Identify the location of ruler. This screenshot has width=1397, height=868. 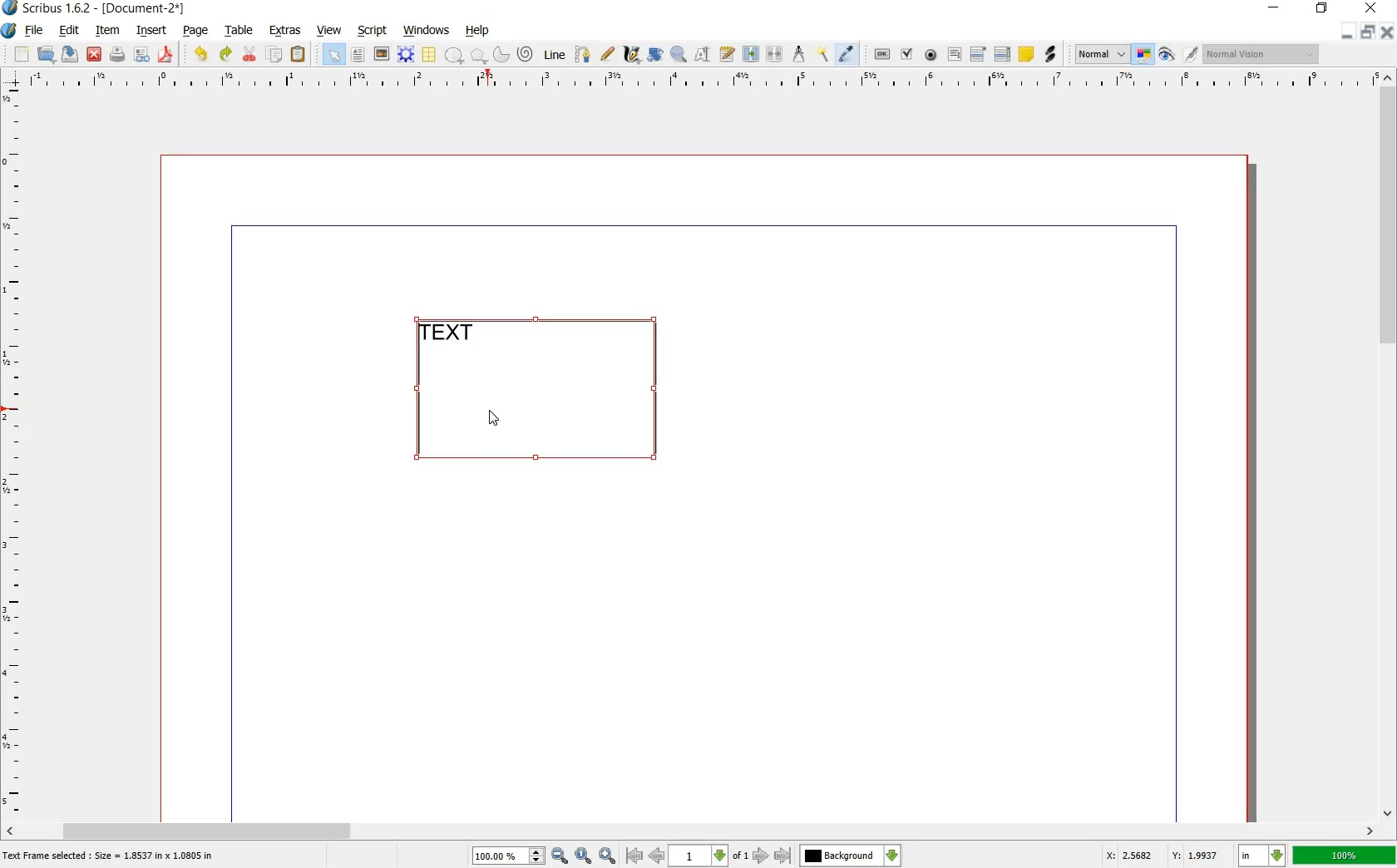
(696, 81).